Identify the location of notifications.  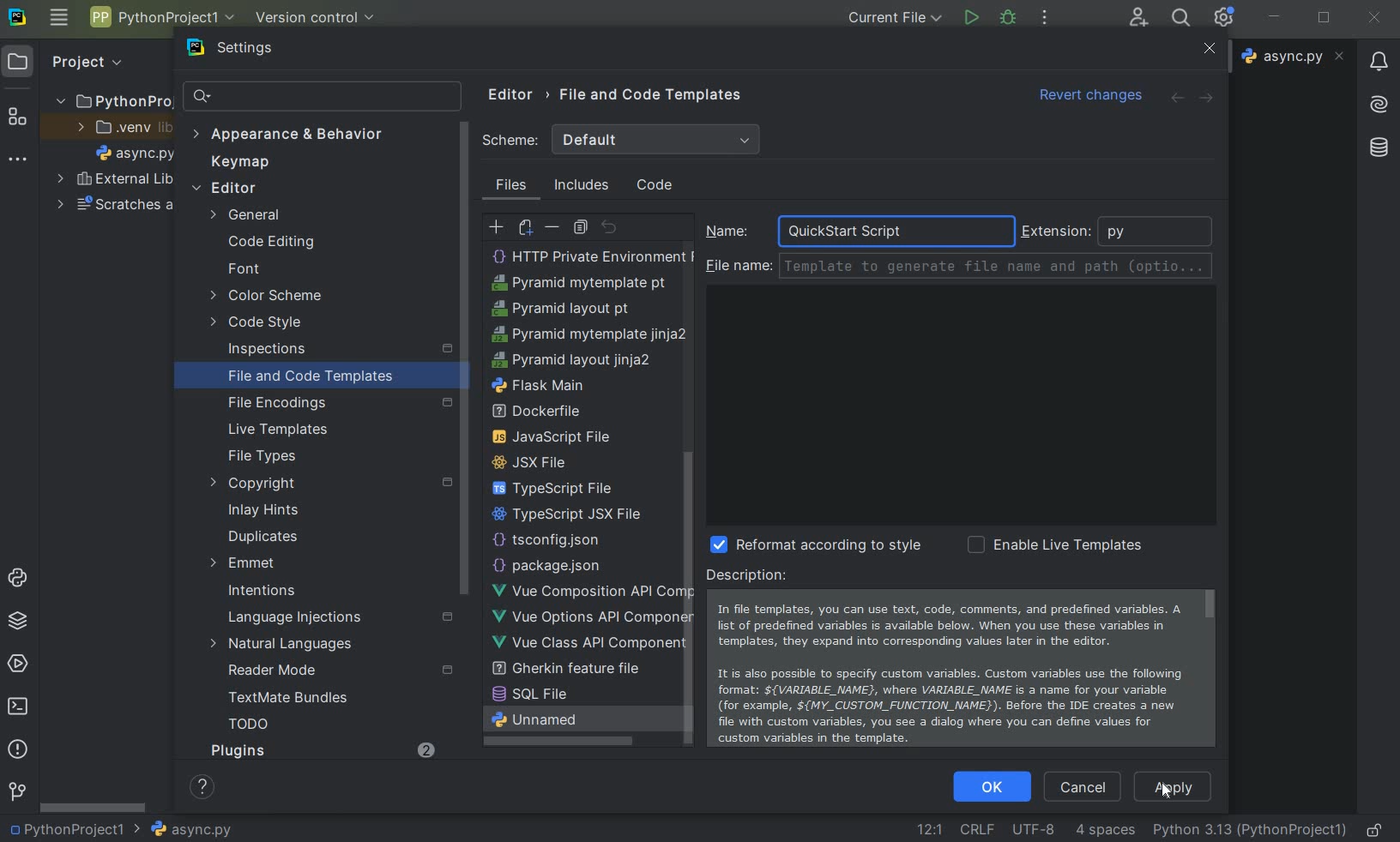
(1375, 62).